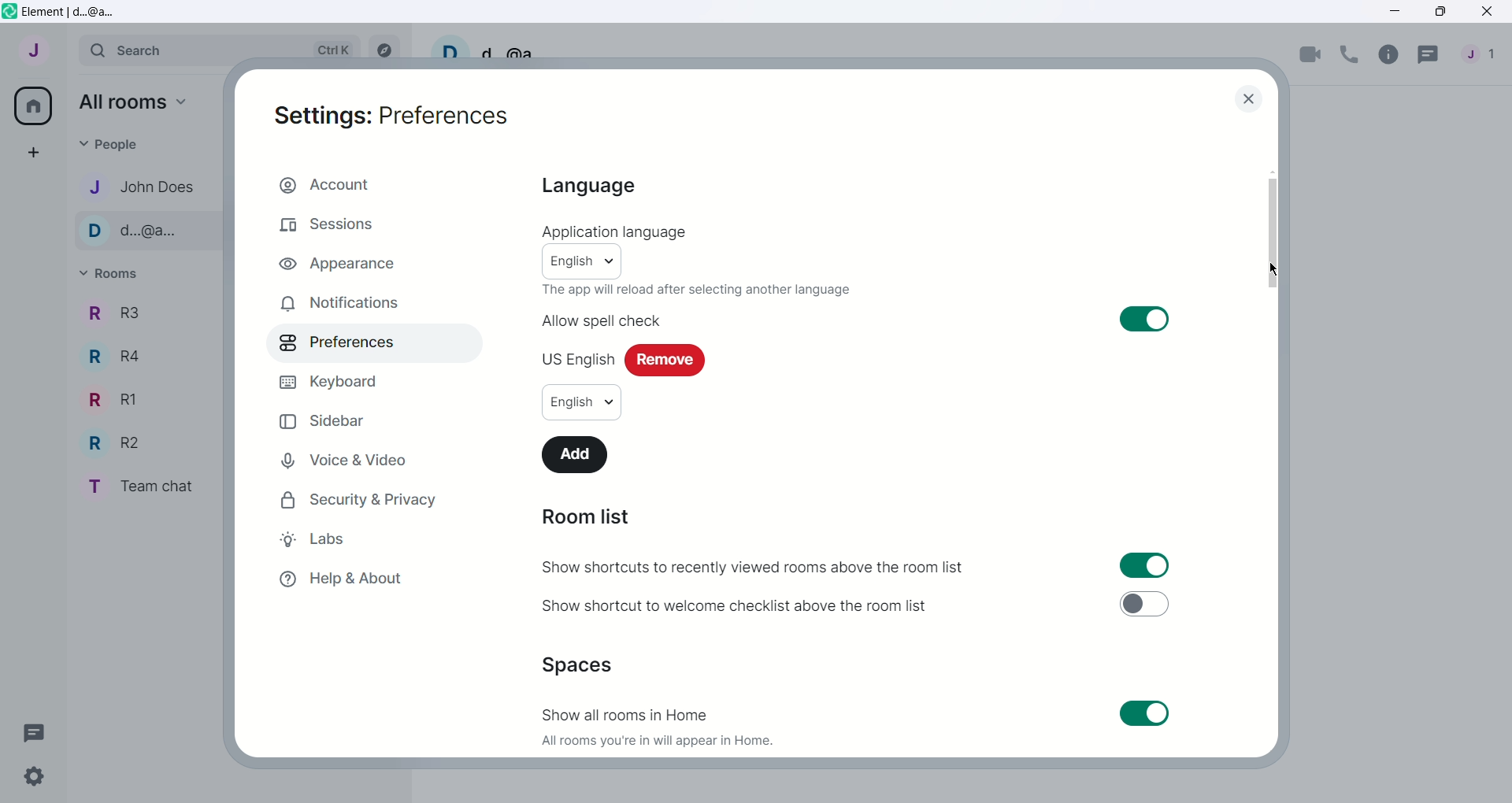 The height and width of the screenshot is (803, 1512). I want to click on Element | d...@a..., so click(72, 13).